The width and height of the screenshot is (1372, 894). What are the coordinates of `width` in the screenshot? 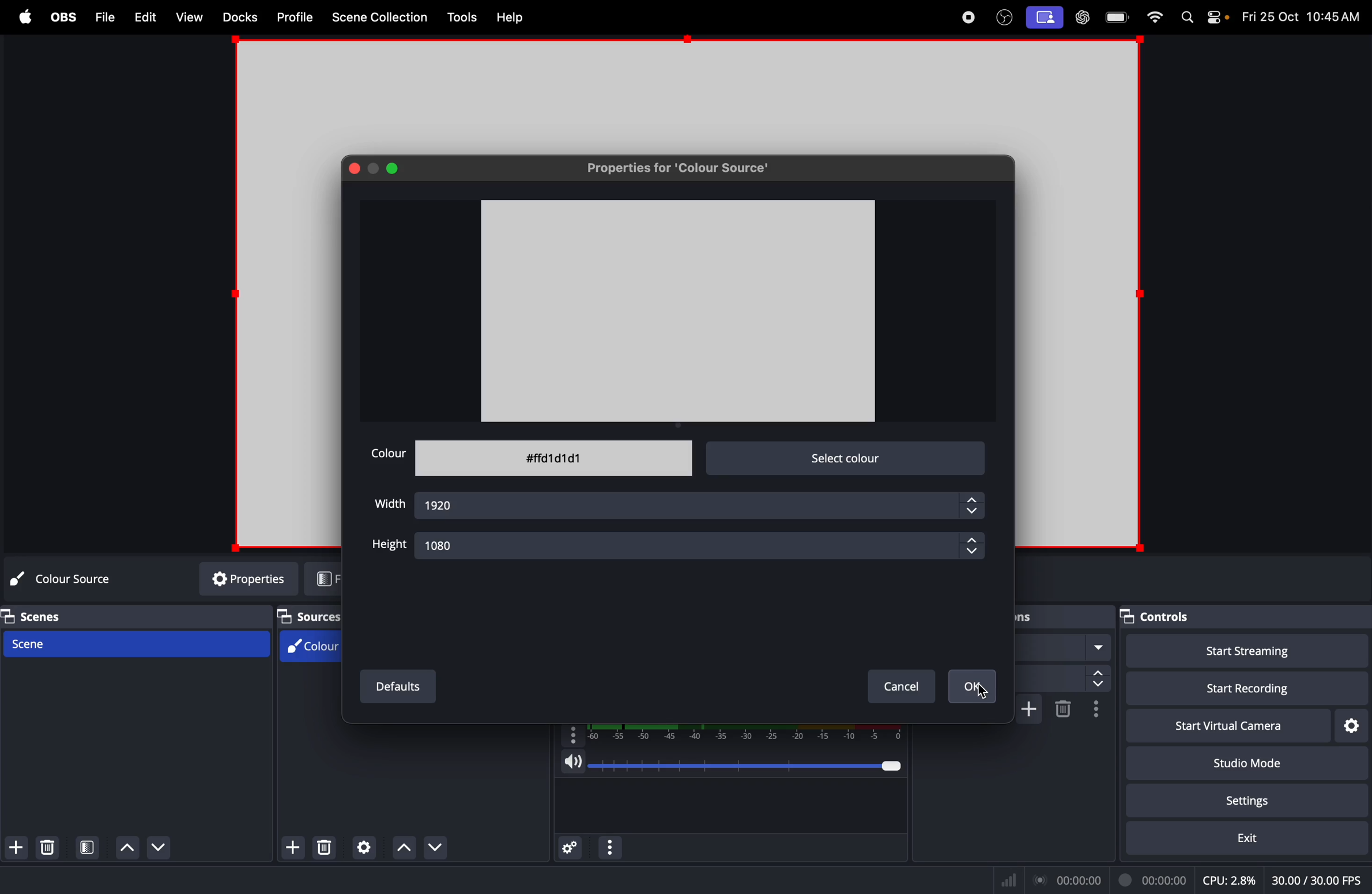 It's located at (391, 504).